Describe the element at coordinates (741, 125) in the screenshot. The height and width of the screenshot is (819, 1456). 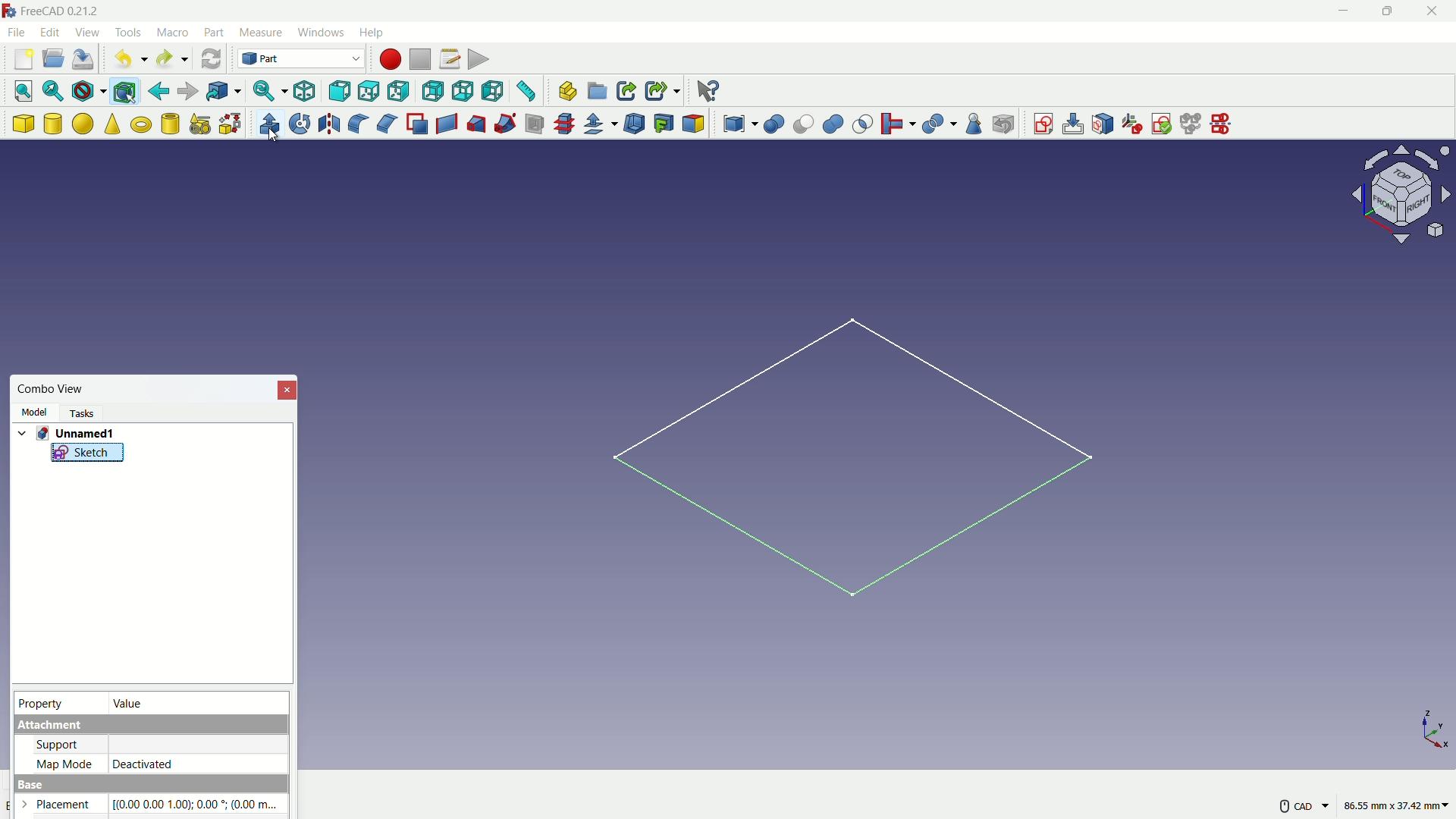
I see `compound tool` at that location.